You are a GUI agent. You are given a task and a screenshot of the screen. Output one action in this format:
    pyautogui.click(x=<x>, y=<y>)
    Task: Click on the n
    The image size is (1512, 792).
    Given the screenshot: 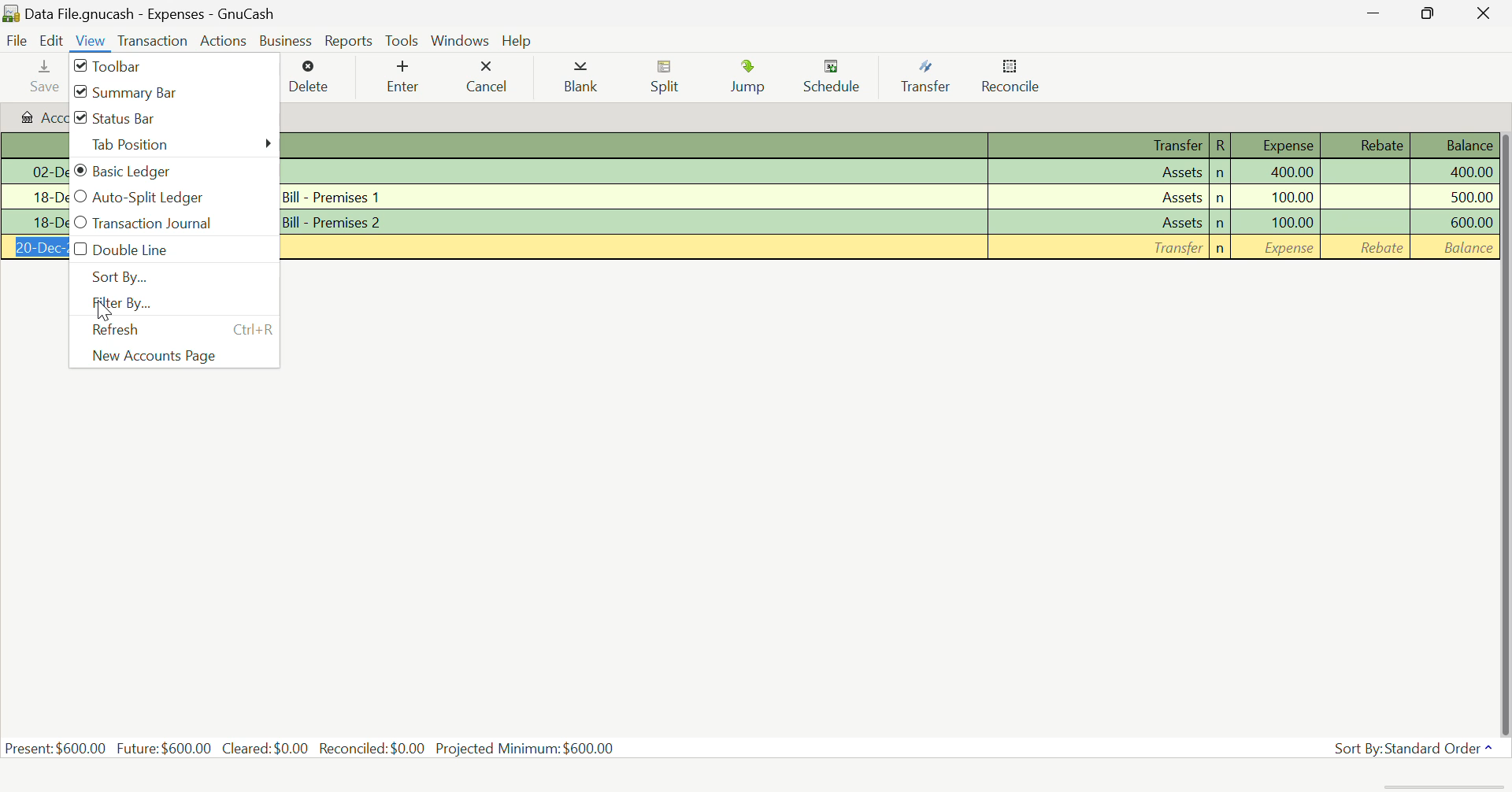 What is the action you would take?
    pyautogui.click(x=1221, y=250)
    